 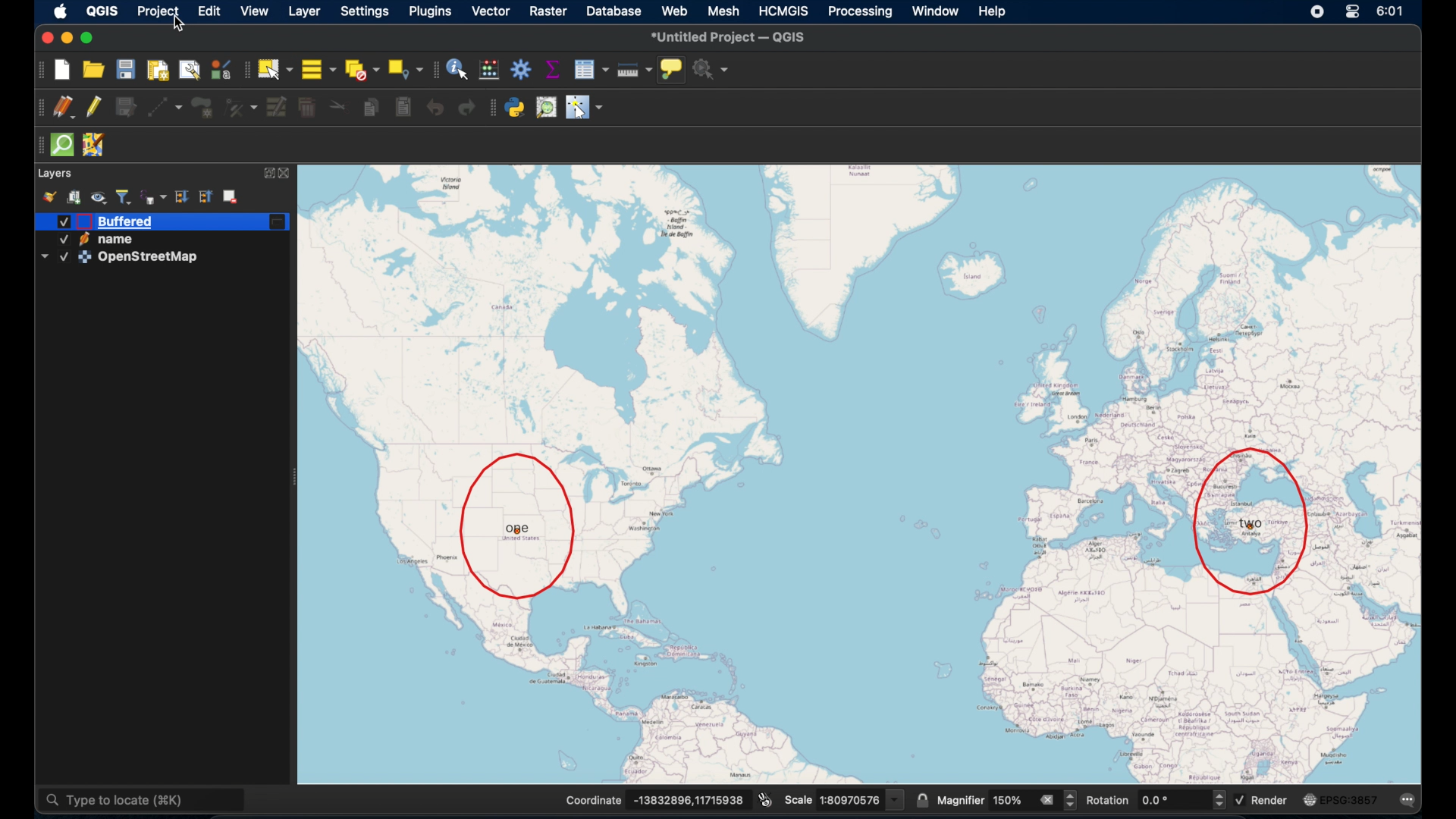 What do you see at coordinates (403, 108) in the screenshot?
I see `paste features` at bounding box center [403, 108].